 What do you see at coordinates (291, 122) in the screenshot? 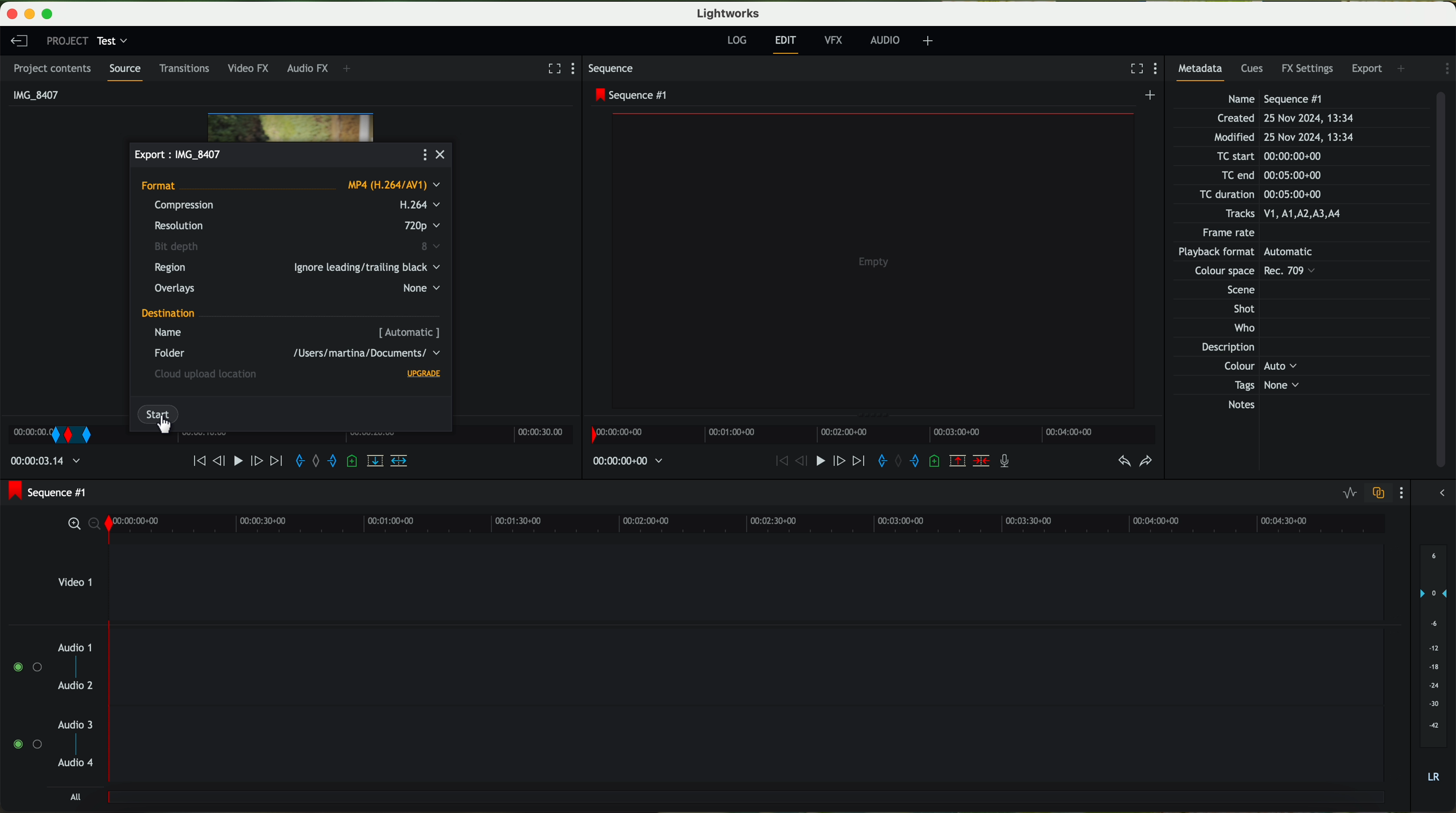
I see `Video` at bounding box center [291, 122].